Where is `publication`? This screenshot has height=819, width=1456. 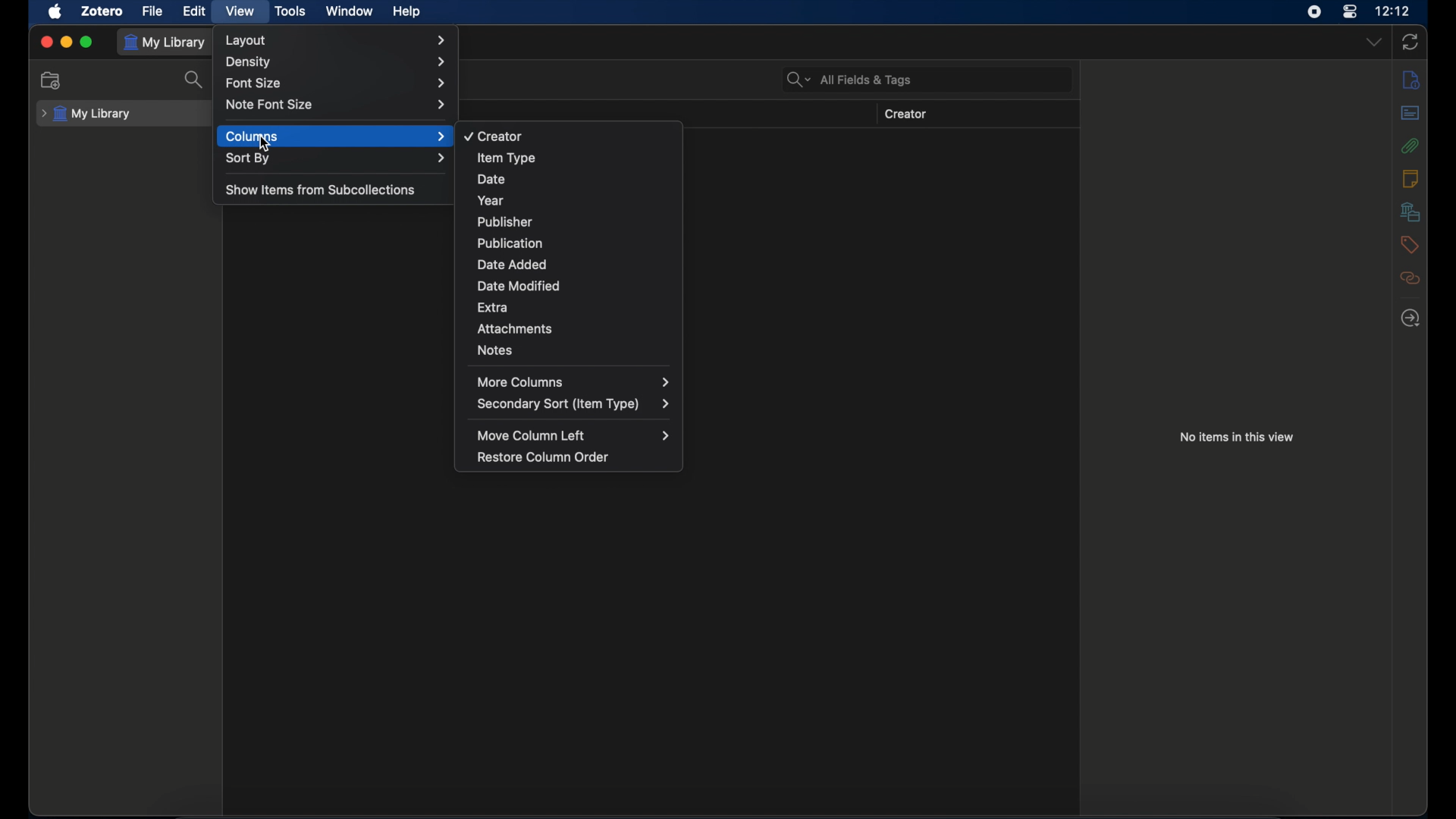 publication is located at coordinates (509, 243).